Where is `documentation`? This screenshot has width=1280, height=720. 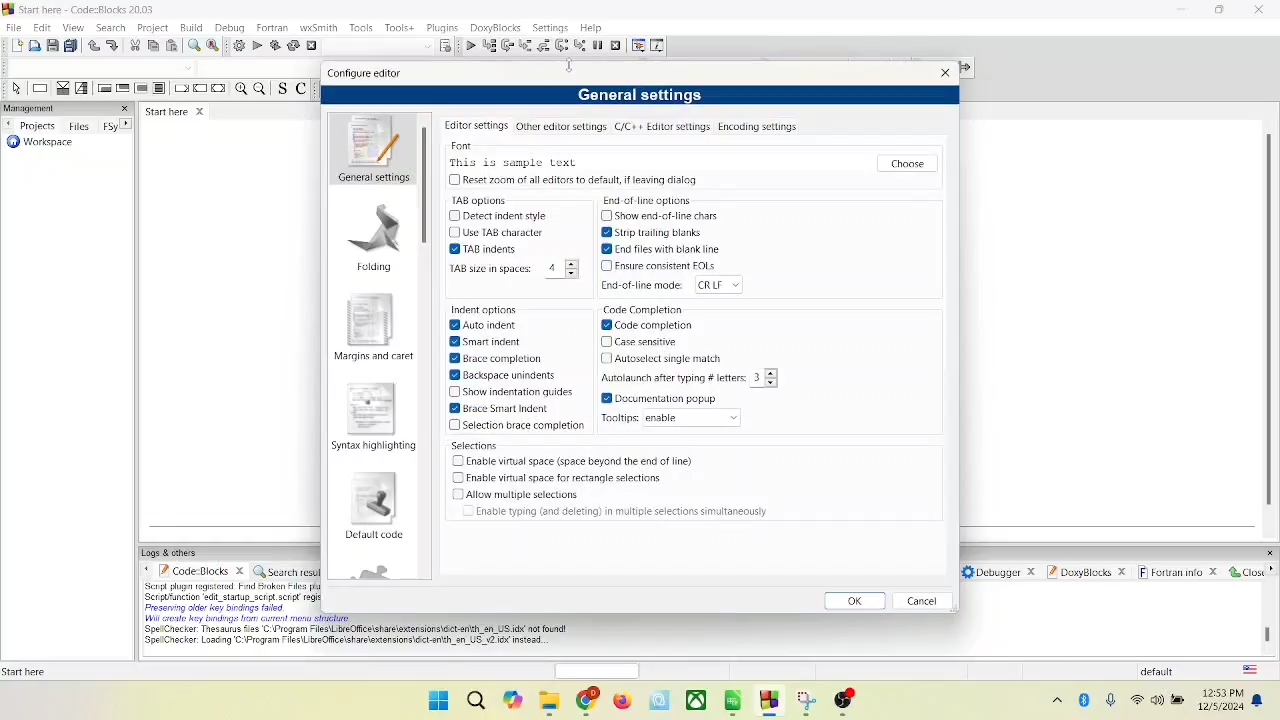 documentation is located at coordinates (658, 400).